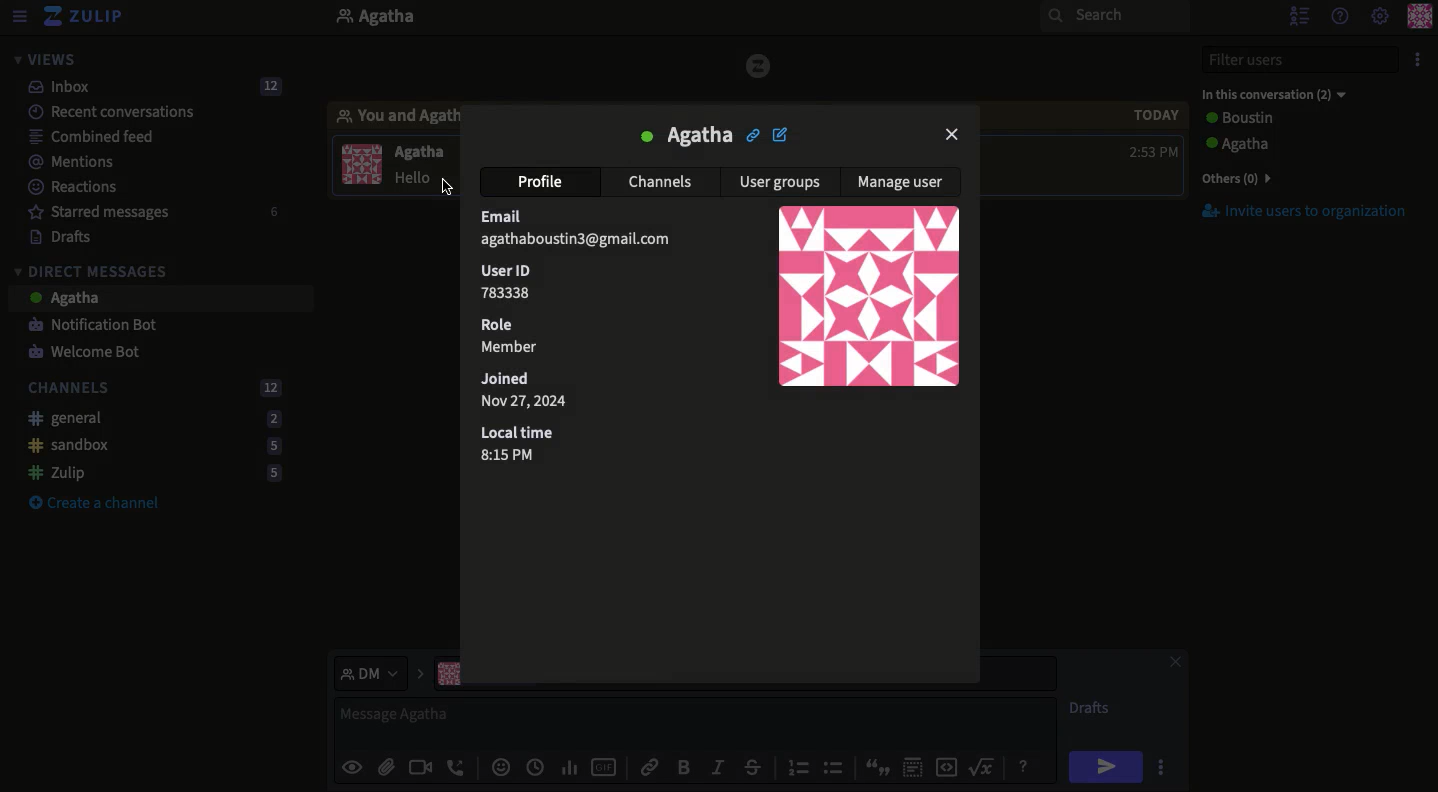 The height and width of the screenshot is (792, 1438). What do you see at coordinates (780, 134) in the screenshot?
I see `Edit name` at bounding box center [780, 134].